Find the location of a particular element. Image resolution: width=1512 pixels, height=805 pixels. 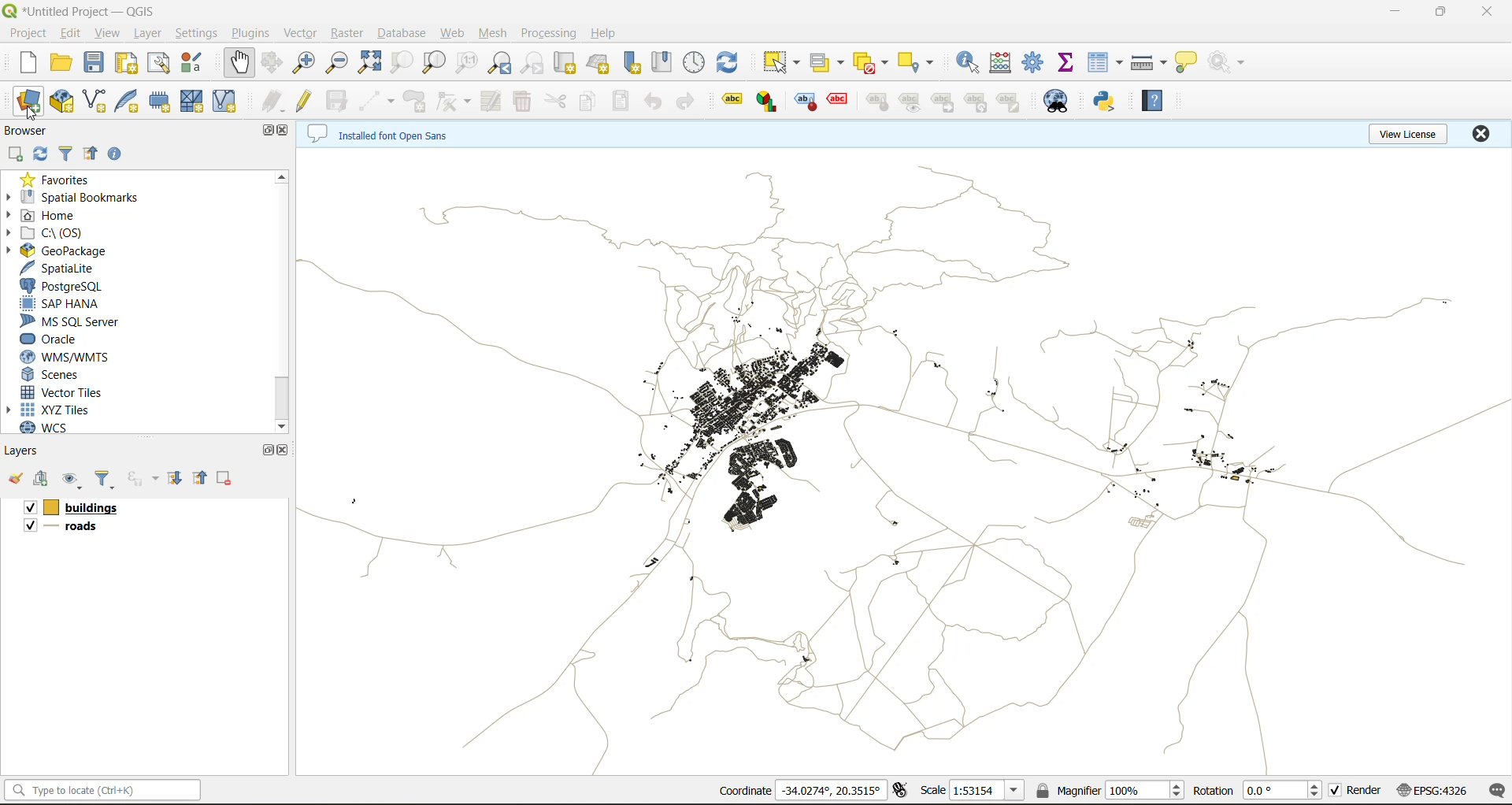

rotation is located at coordinates (1213, 791).